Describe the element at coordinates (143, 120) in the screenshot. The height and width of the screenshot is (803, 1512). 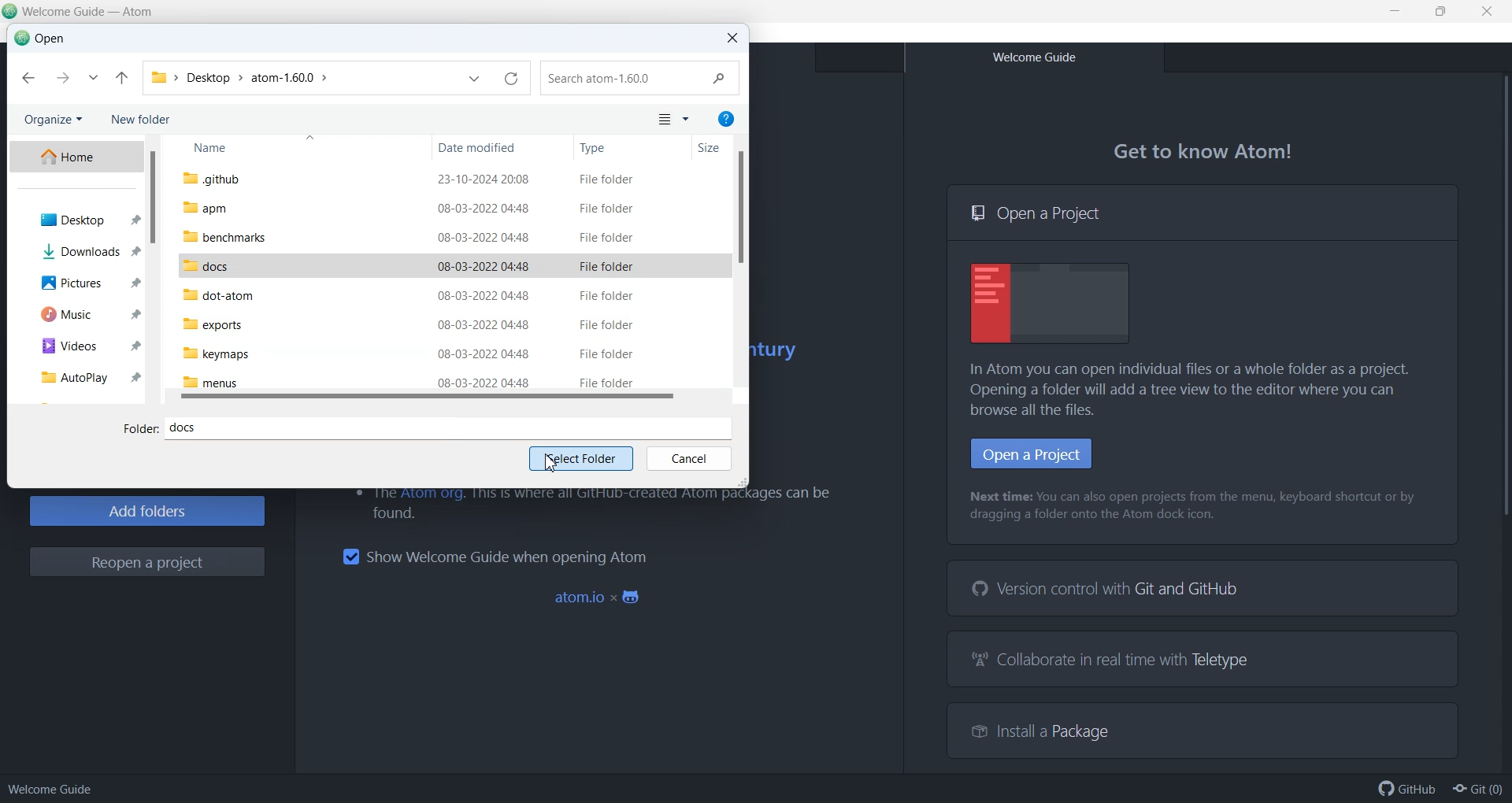
I see `New folder` at that location.